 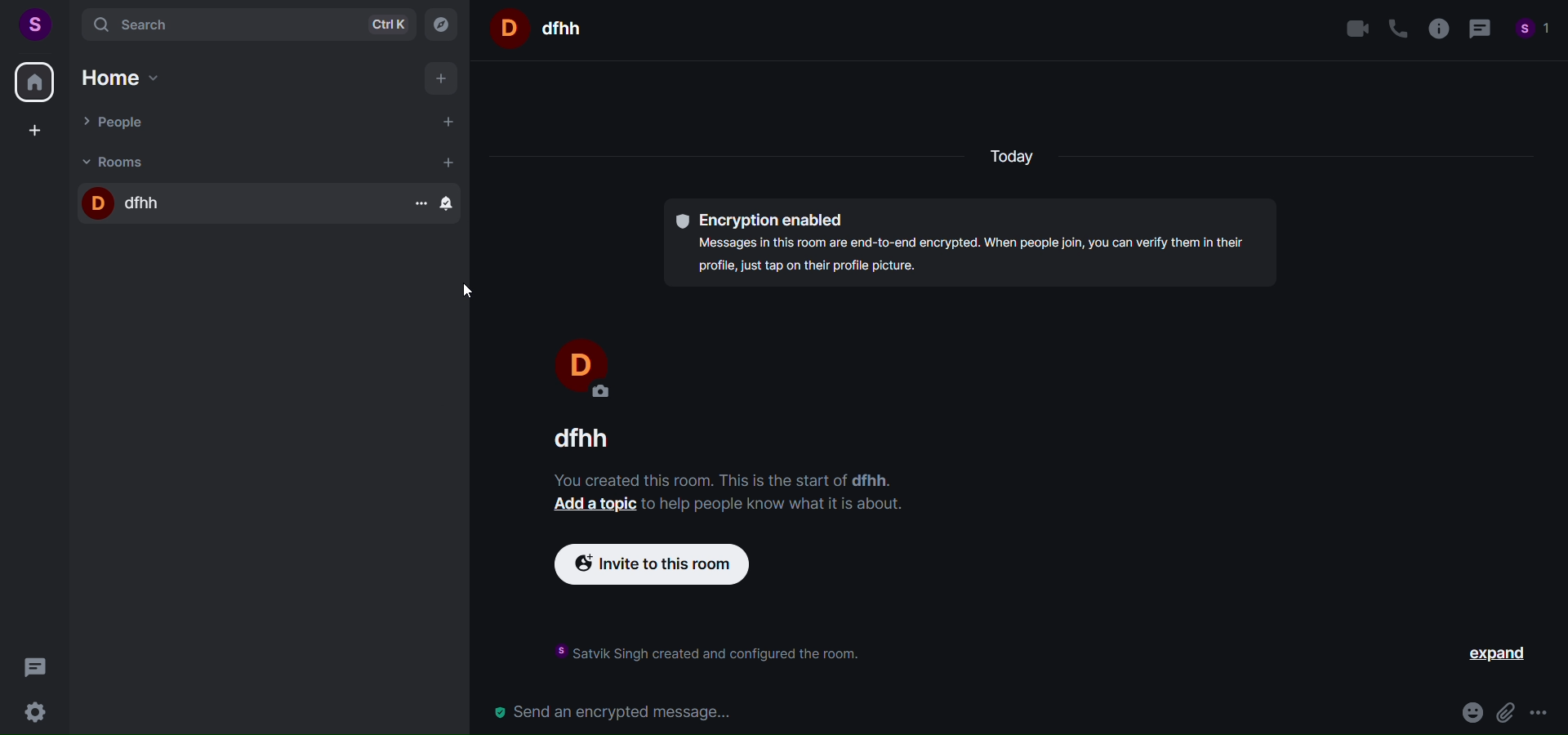 I want to click on search ctrl k, so click(x=245, y=24).